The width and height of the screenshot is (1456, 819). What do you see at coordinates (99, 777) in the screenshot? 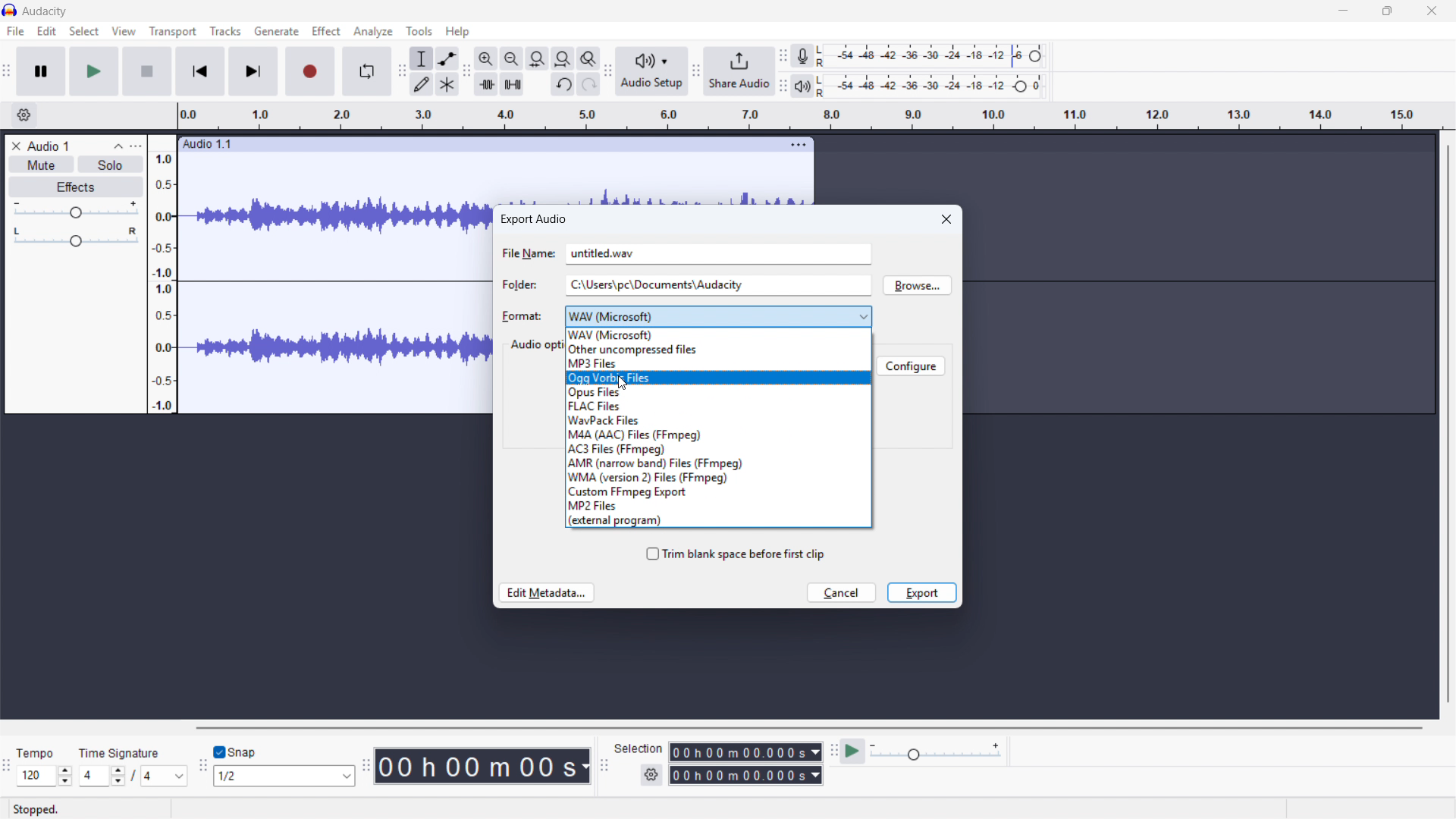
I see `Set time signature ` at bounding box center [99, 777].